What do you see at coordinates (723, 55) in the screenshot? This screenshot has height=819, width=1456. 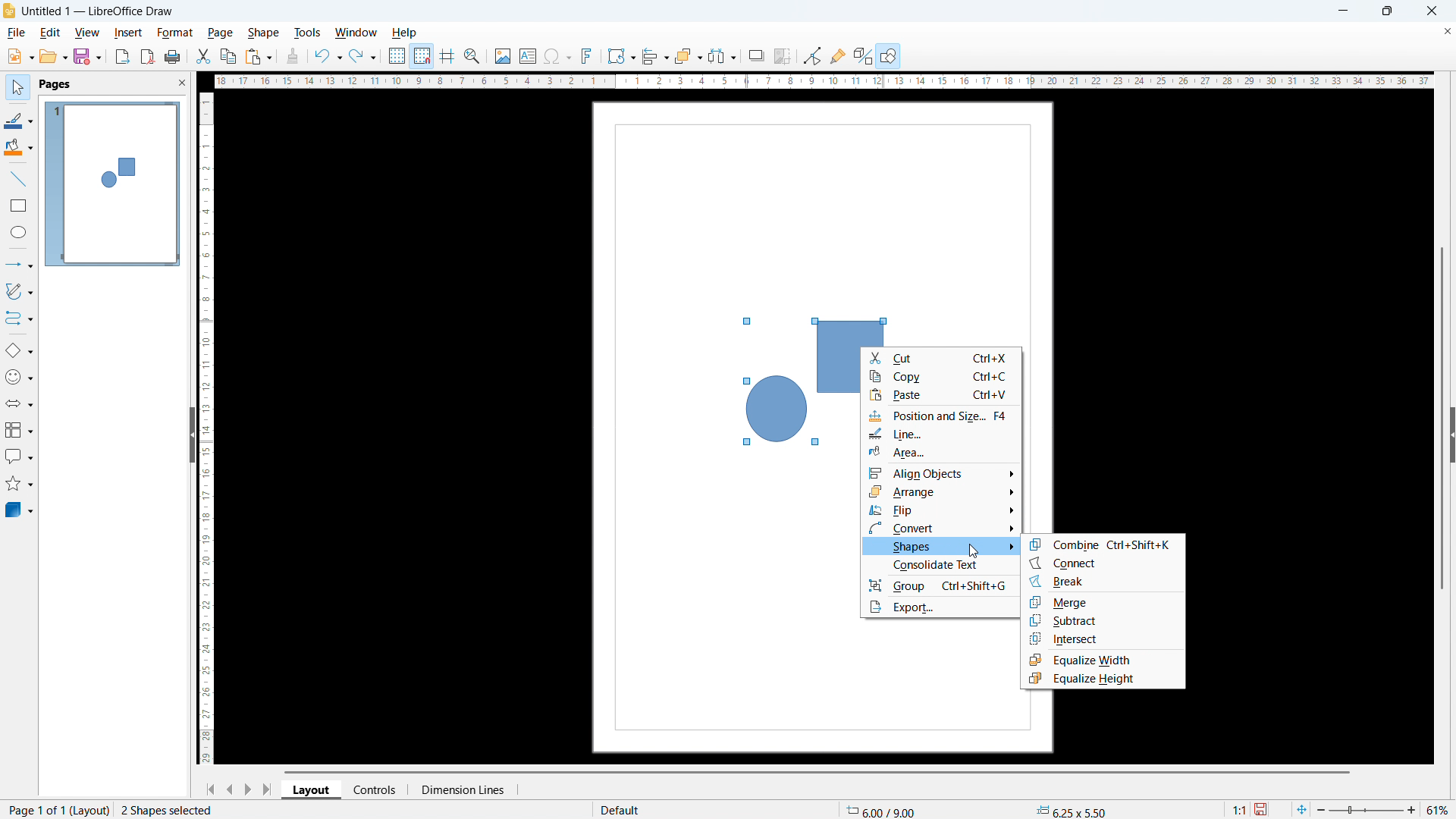 I see `select at least 3 objects to distribute` at bounding box center [723, 55].